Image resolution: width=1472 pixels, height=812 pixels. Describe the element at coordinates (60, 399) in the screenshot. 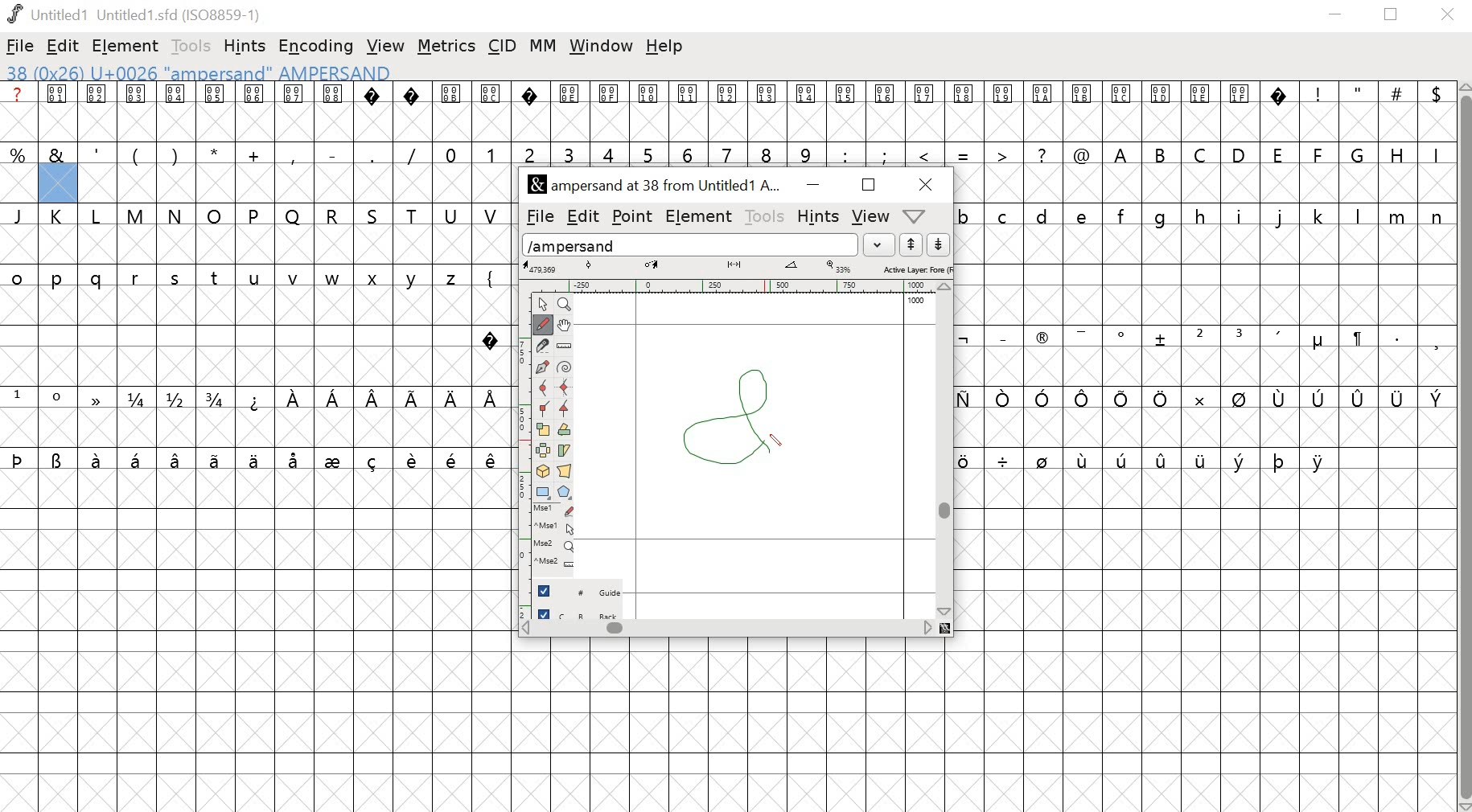

I see `0` at that location.